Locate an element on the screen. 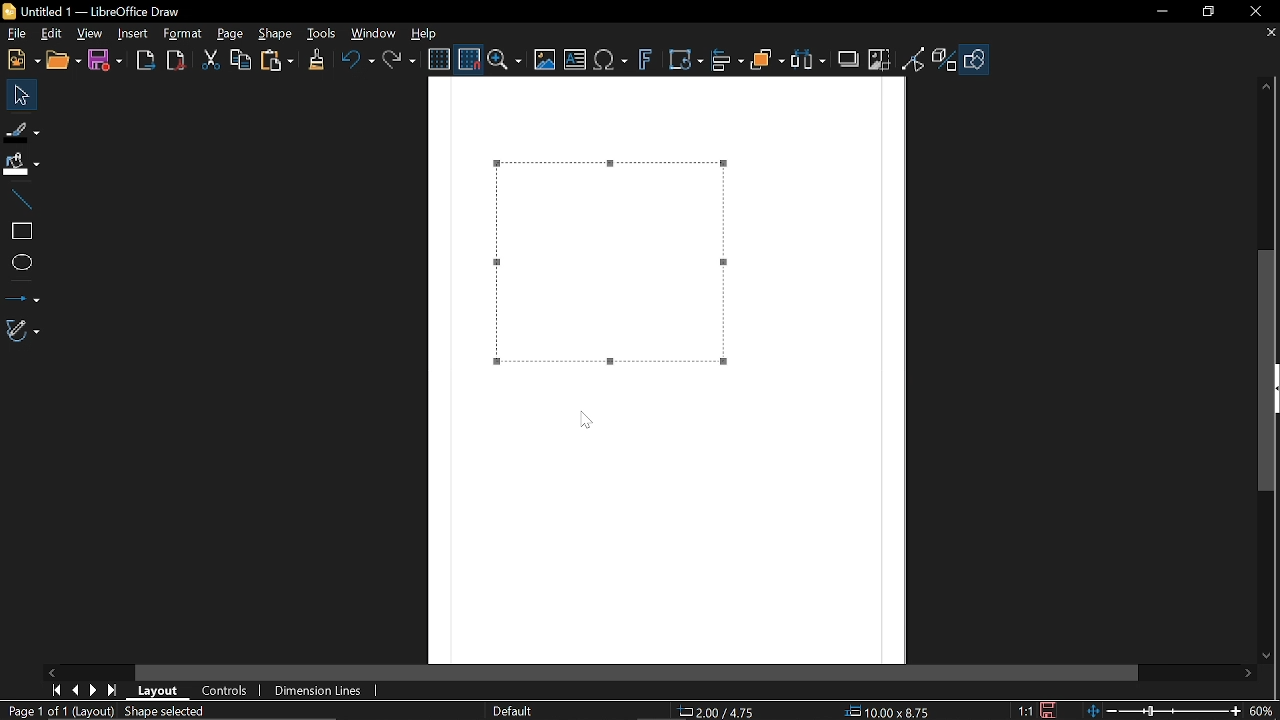 Image resolution: width=1280 pixels, height=720 pixels. Close tab is located at coordinates (1270, 32).